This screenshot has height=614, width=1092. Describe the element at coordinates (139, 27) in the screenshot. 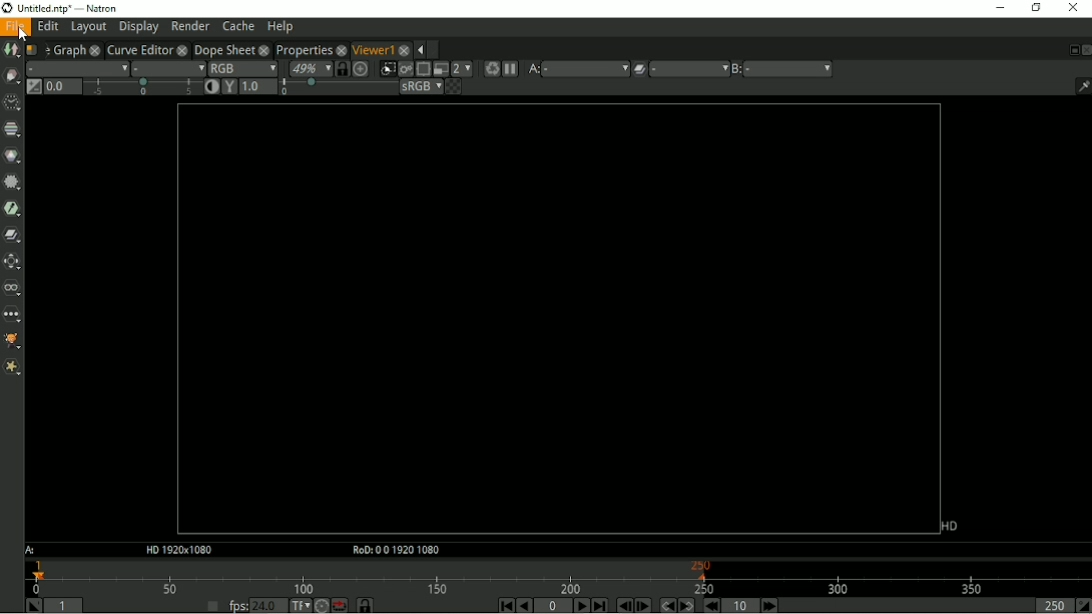

I see `Display` at that location.